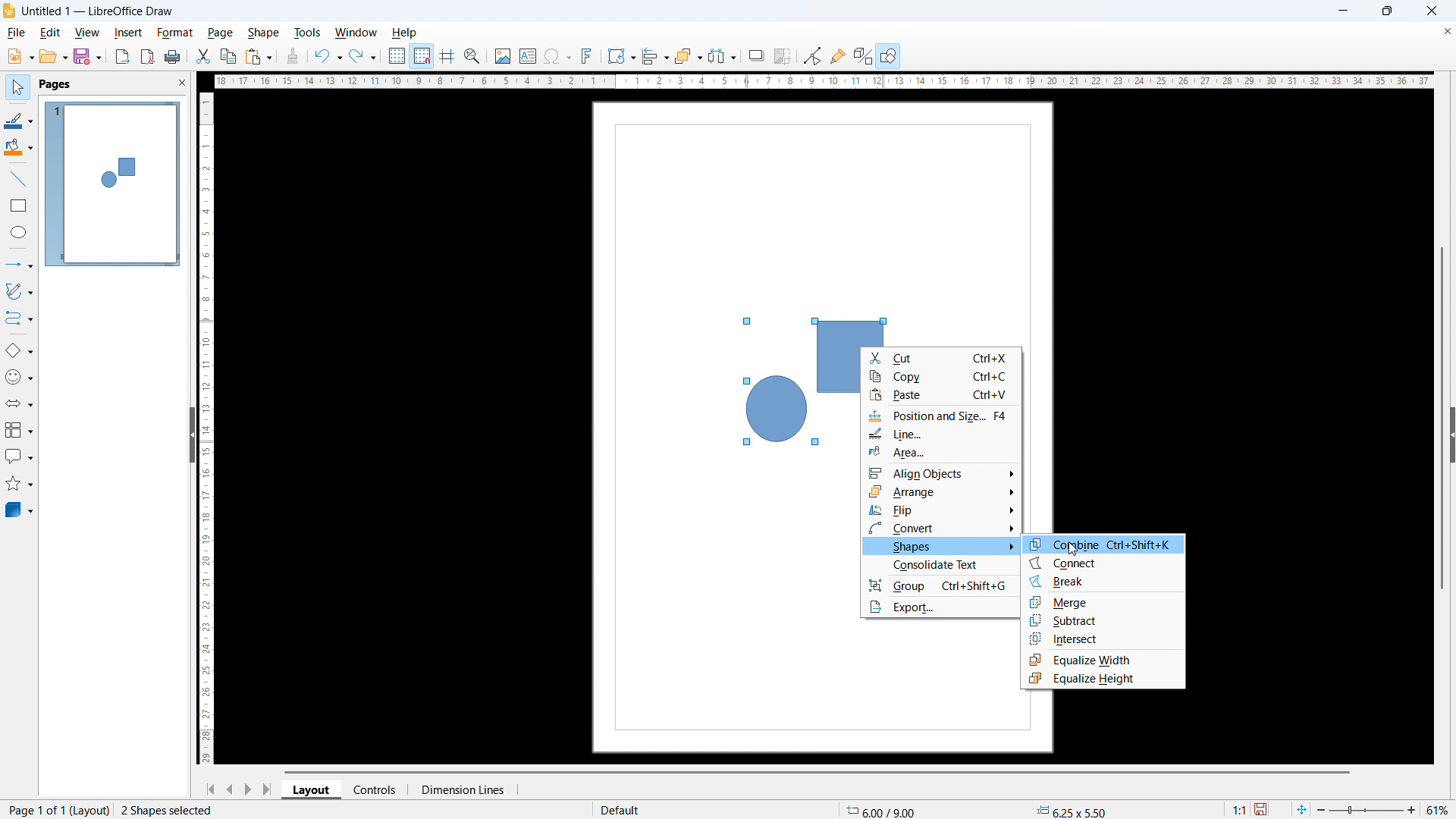  What do you see at coordinates (397, 56) in the screenshot?
I see `show grid` at bounding box center [397, 56].